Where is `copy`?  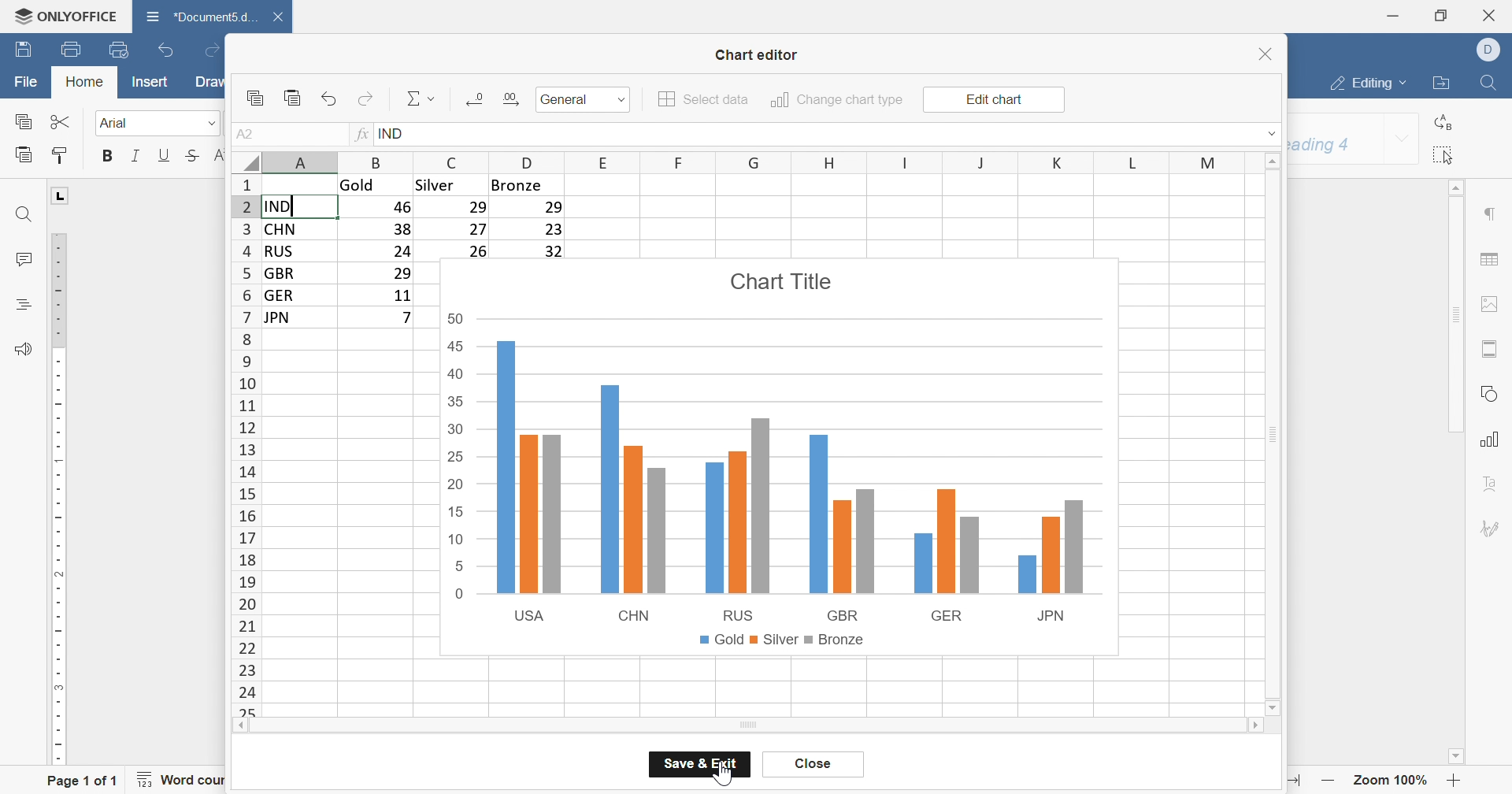 copy is located at coordinates (254, 98).